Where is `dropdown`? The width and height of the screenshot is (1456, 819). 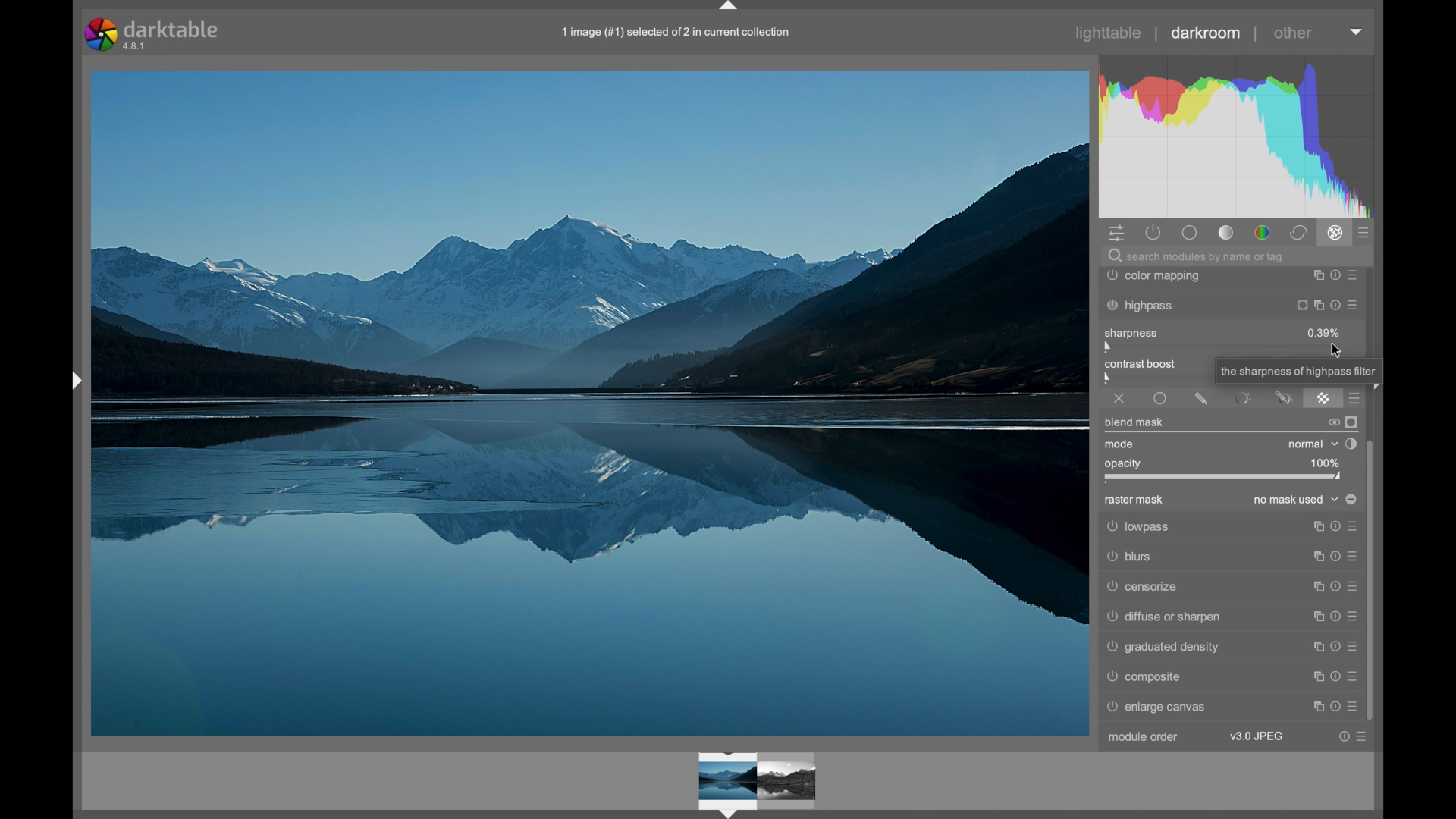 dropdown is located at coordinates (1357, 32).